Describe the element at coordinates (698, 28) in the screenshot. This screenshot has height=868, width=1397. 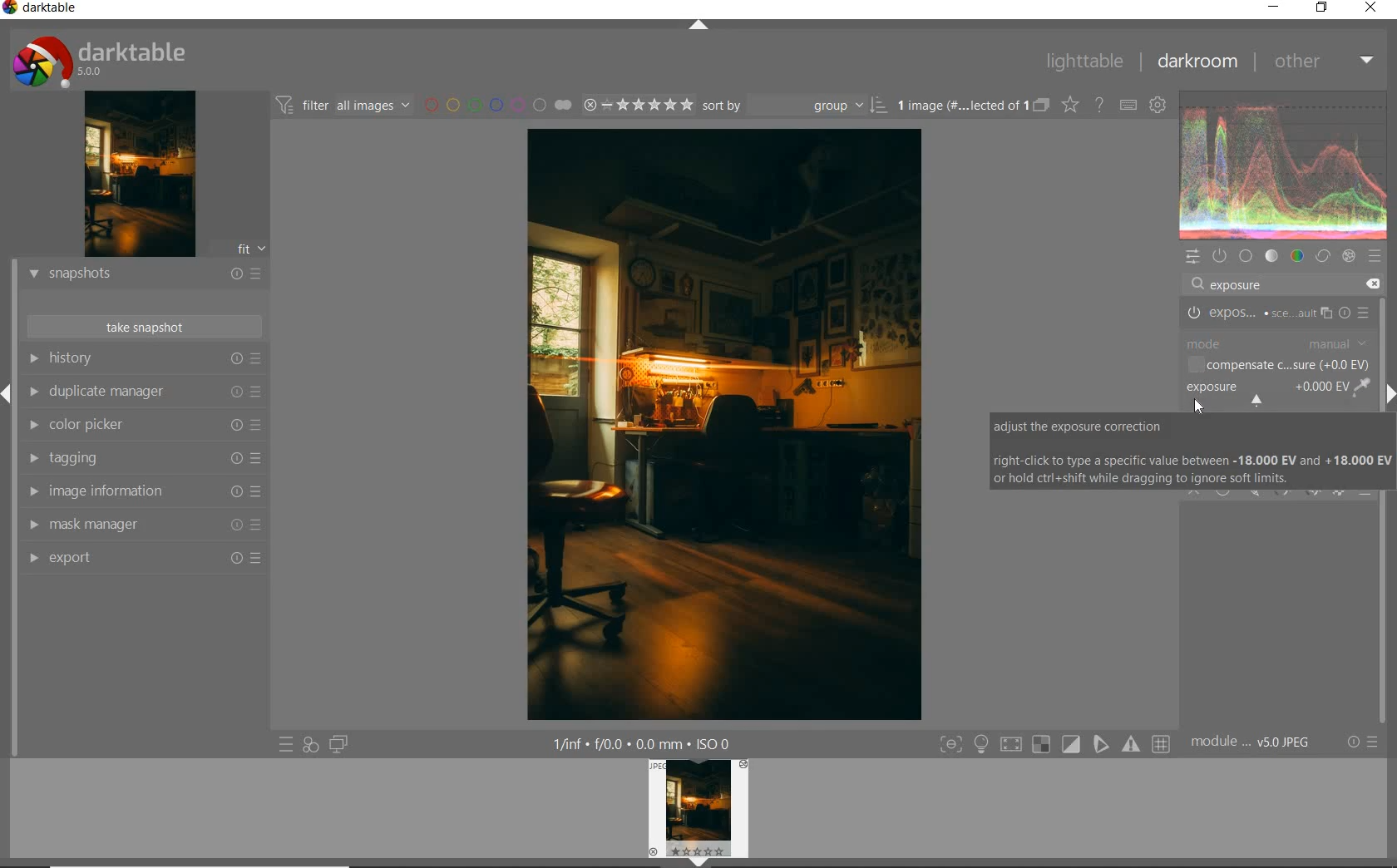
I see `expand/collapse` at that location.